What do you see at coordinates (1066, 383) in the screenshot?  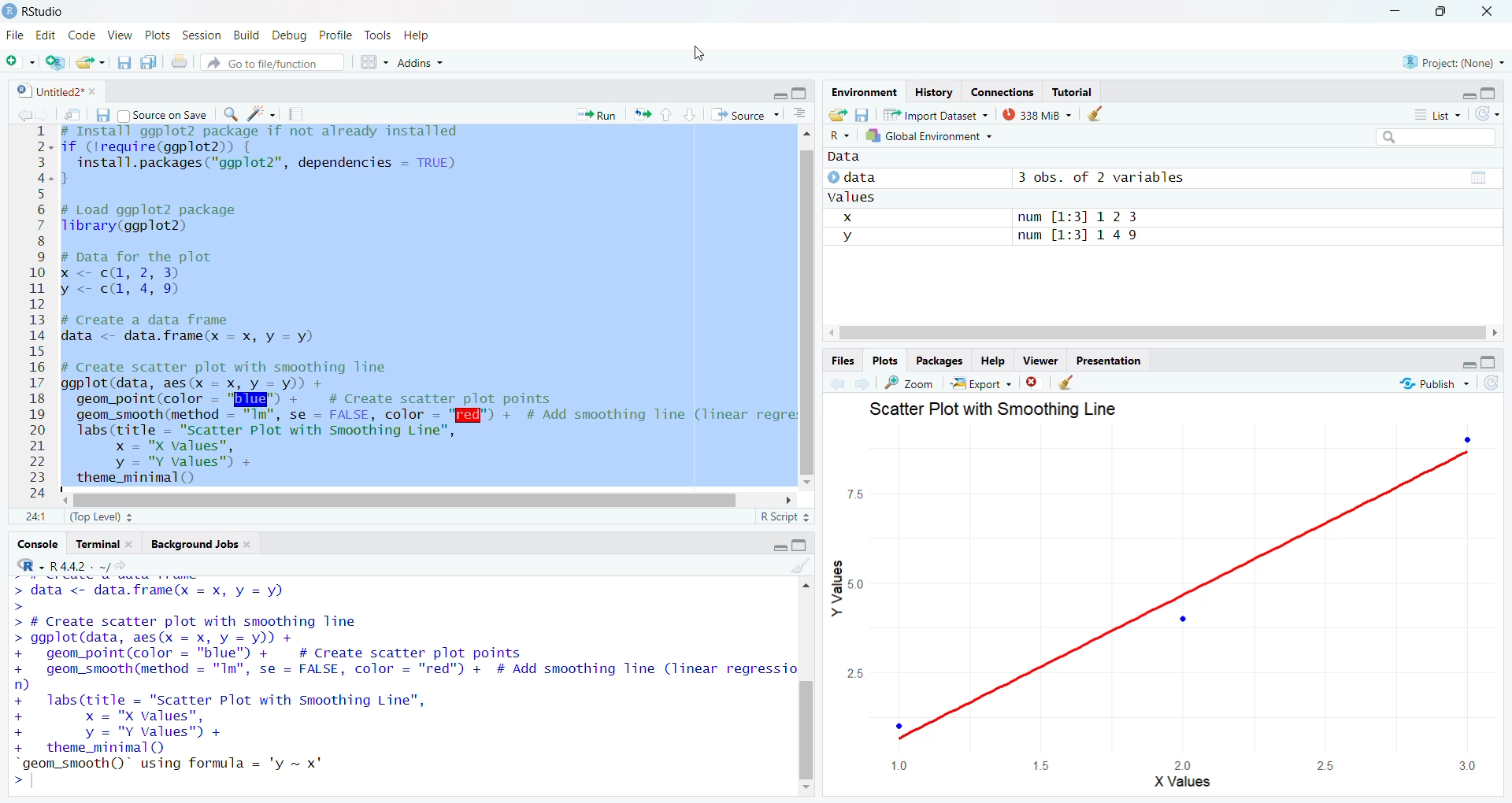 I see `clear all plots` at bounding box center [1066, 383].